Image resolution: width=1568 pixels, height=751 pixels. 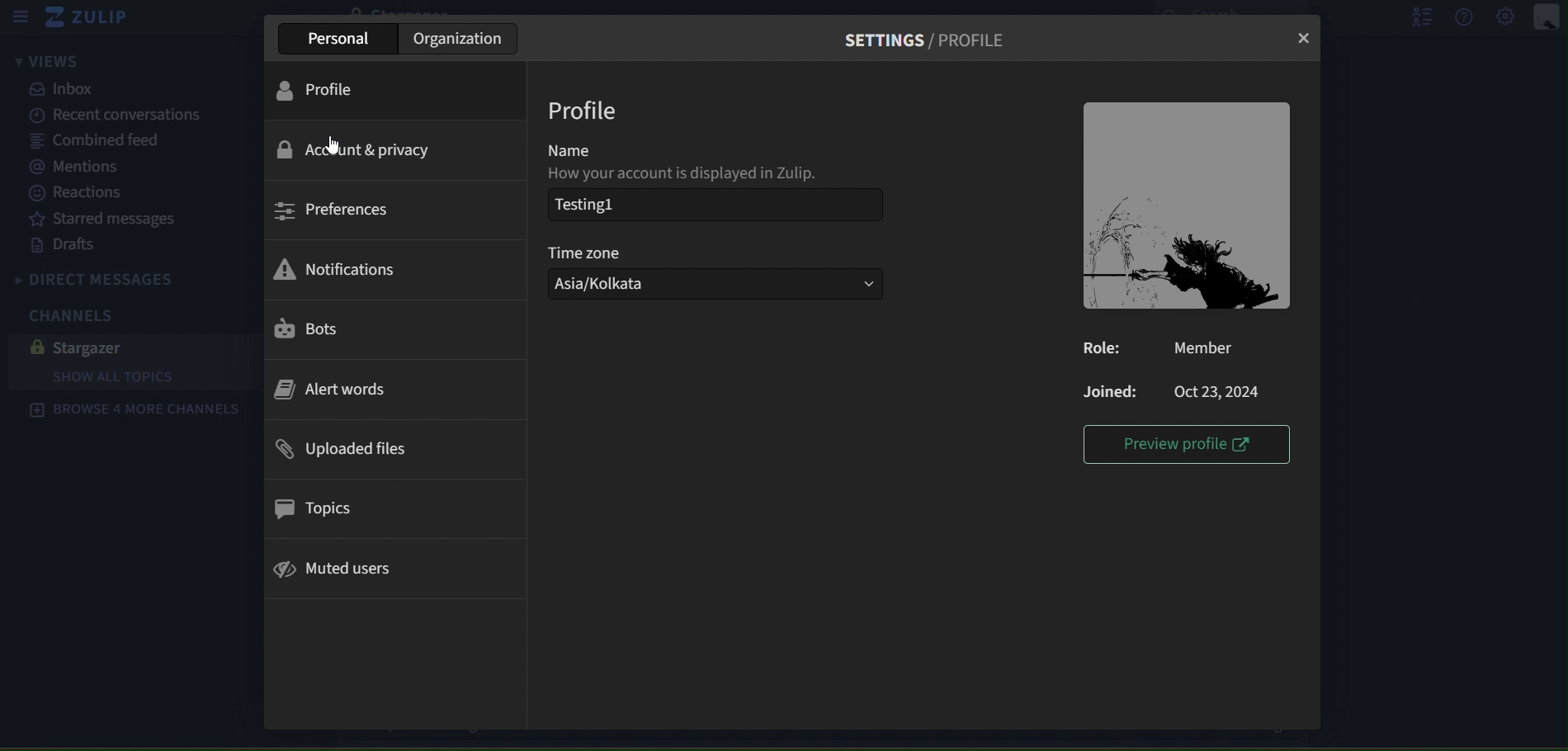 What do you see at coordinates (333, 210) in the screenshot?
I see `preferences` at bounding box center [333, 210].